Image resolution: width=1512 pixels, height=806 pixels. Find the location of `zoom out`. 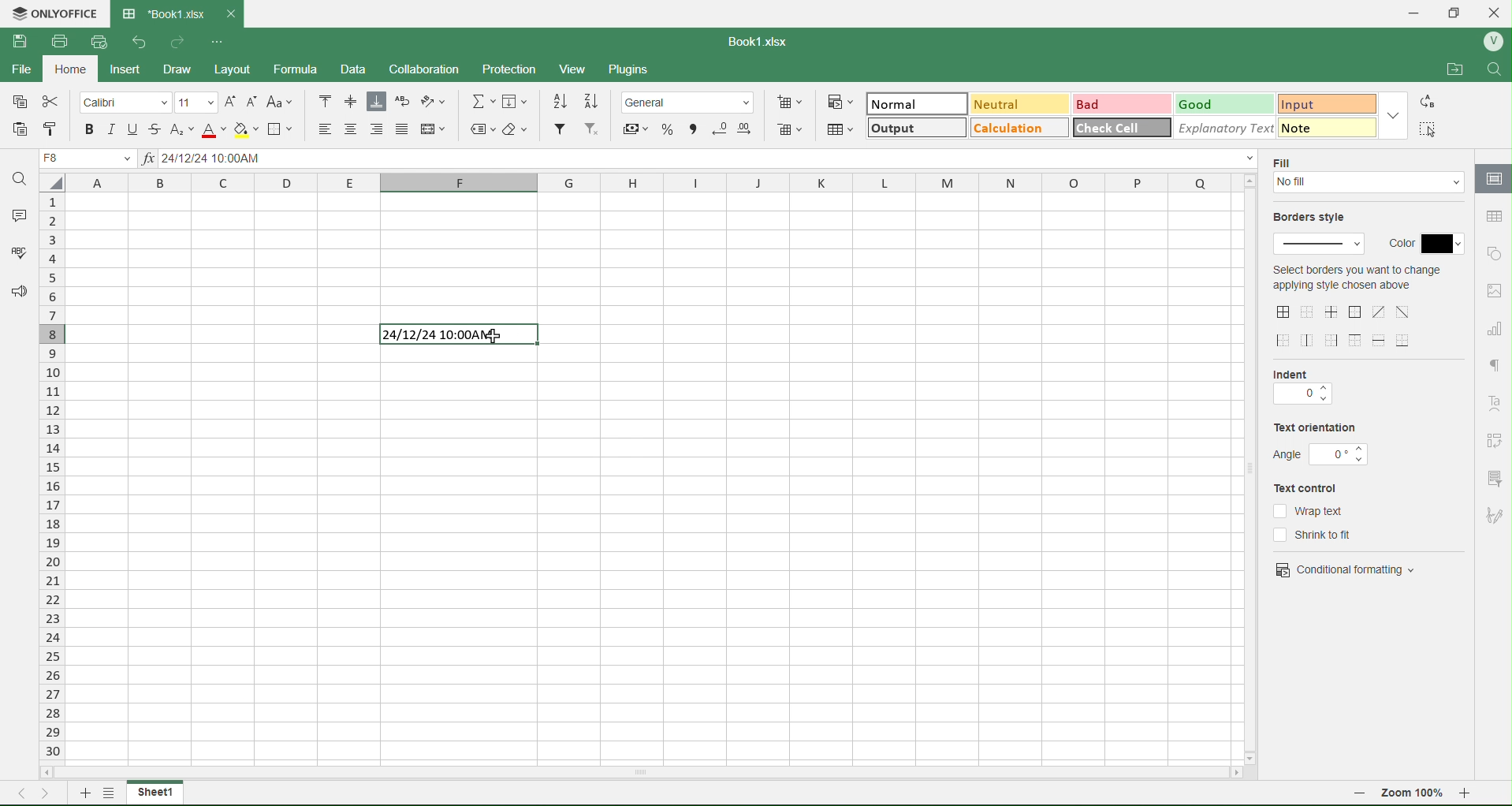

zoom out is located at coordinates (1360, 796).